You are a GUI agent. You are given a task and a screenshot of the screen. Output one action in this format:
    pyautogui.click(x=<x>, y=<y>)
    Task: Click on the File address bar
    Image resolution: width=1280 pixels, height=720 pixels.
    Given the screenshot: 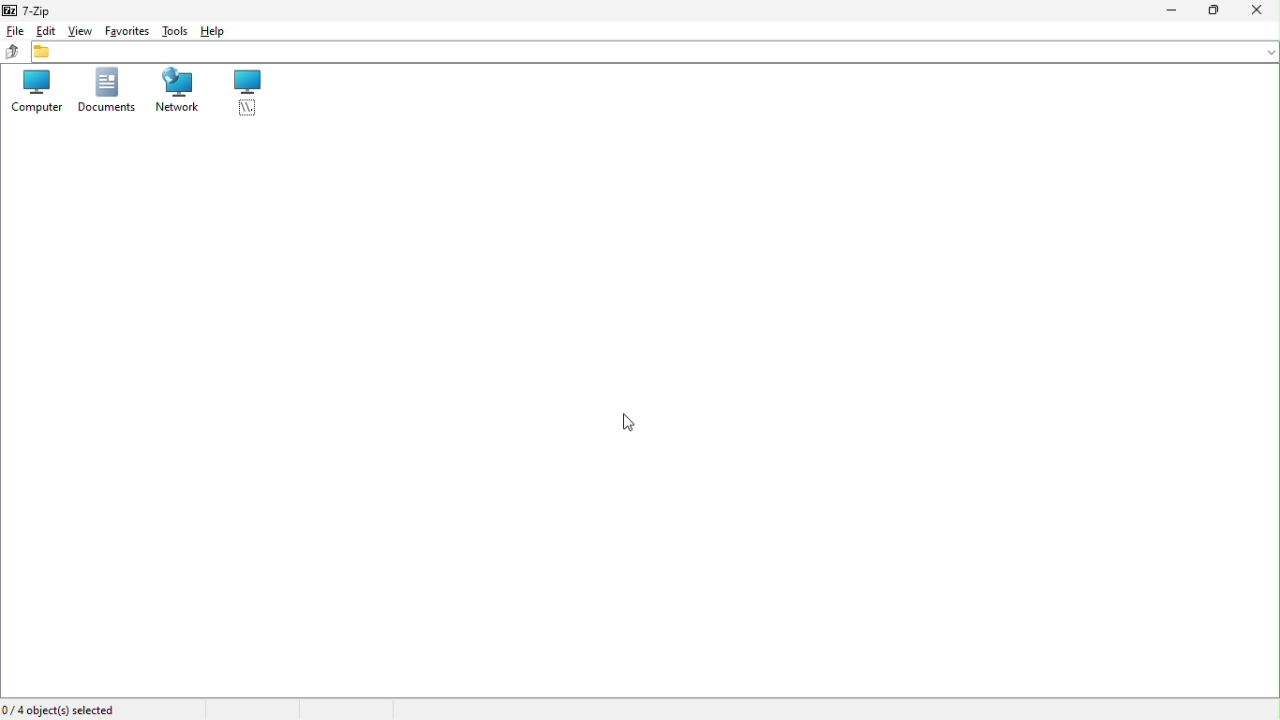 What is the action you would take?
    pyautogui.click(x=655, y=52)
    